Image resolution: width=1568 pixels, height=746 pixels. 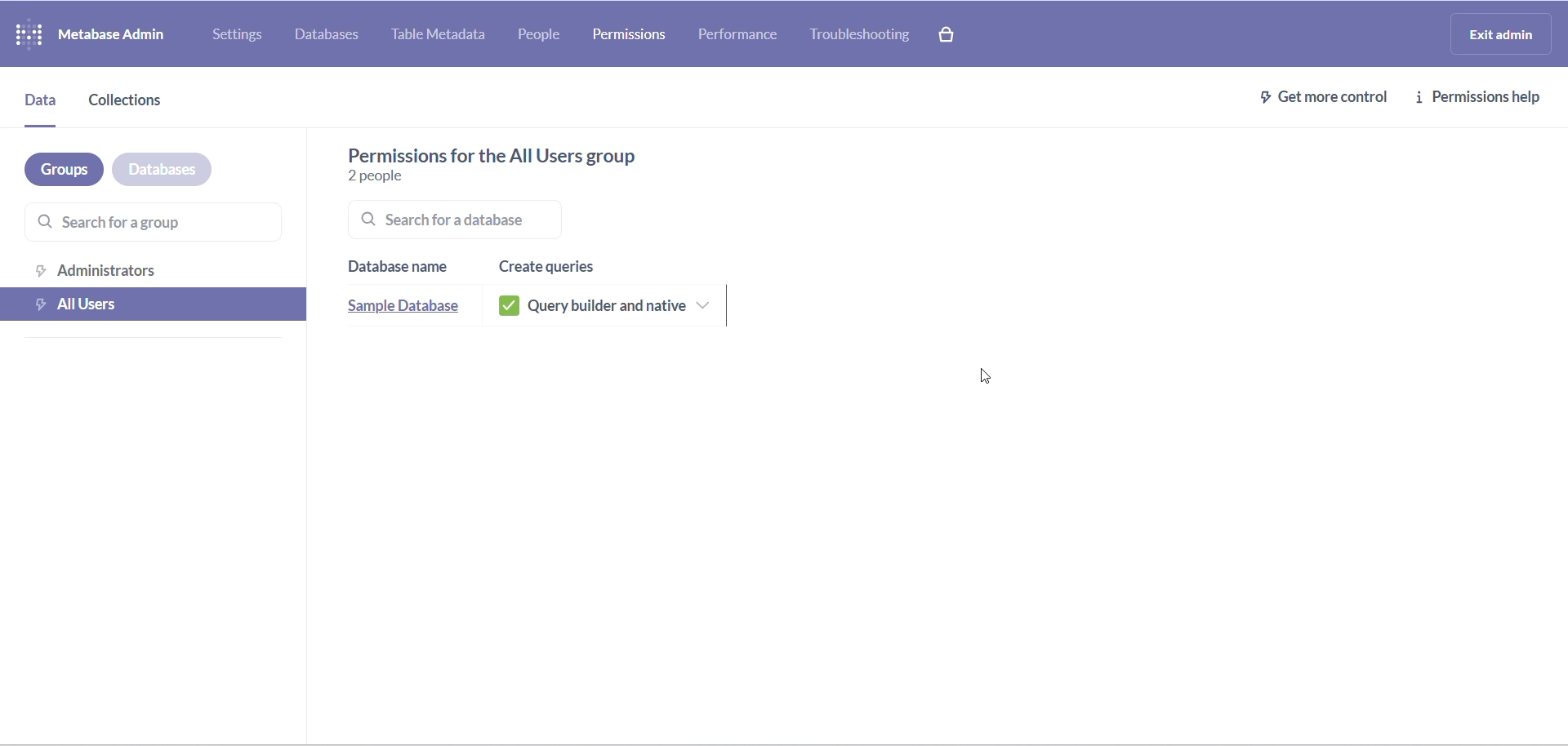 What do you see at coordinates (559, 263) in the screenshot?
I see `create queries` at bounding box center [559, 263].